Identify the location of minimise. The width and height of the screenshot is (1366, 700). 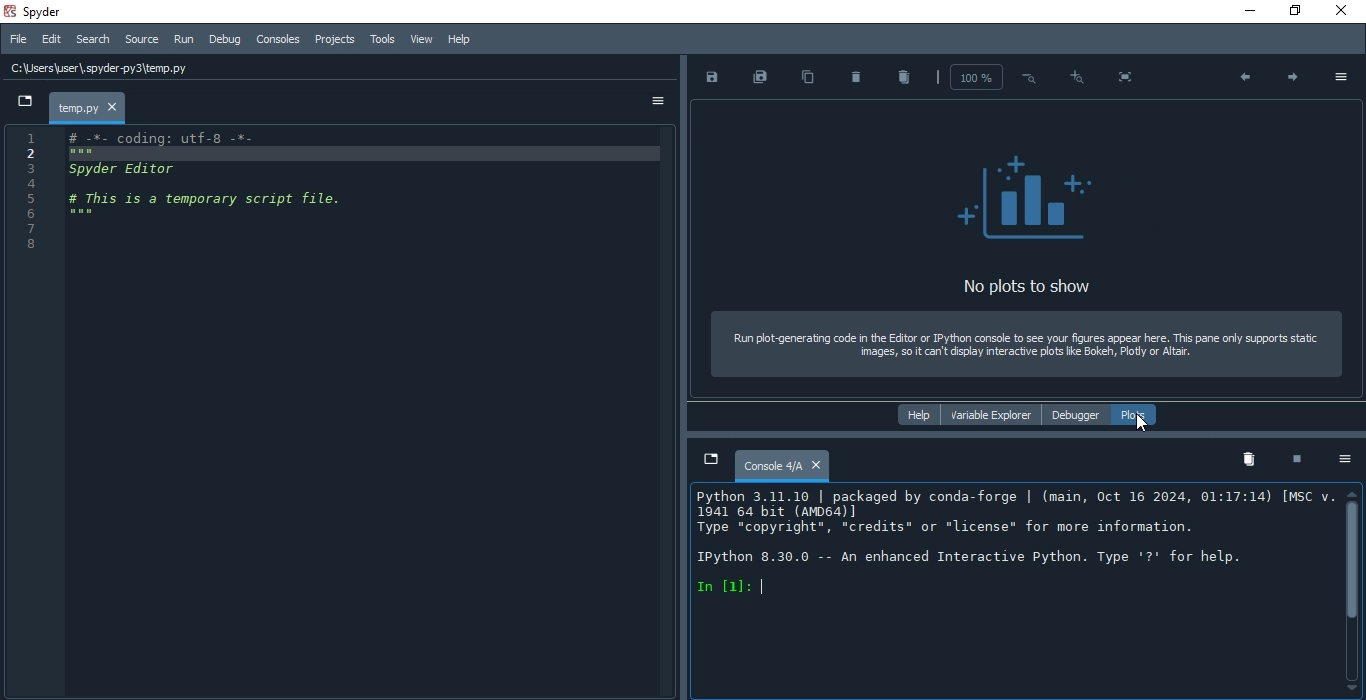
(1248, 11).